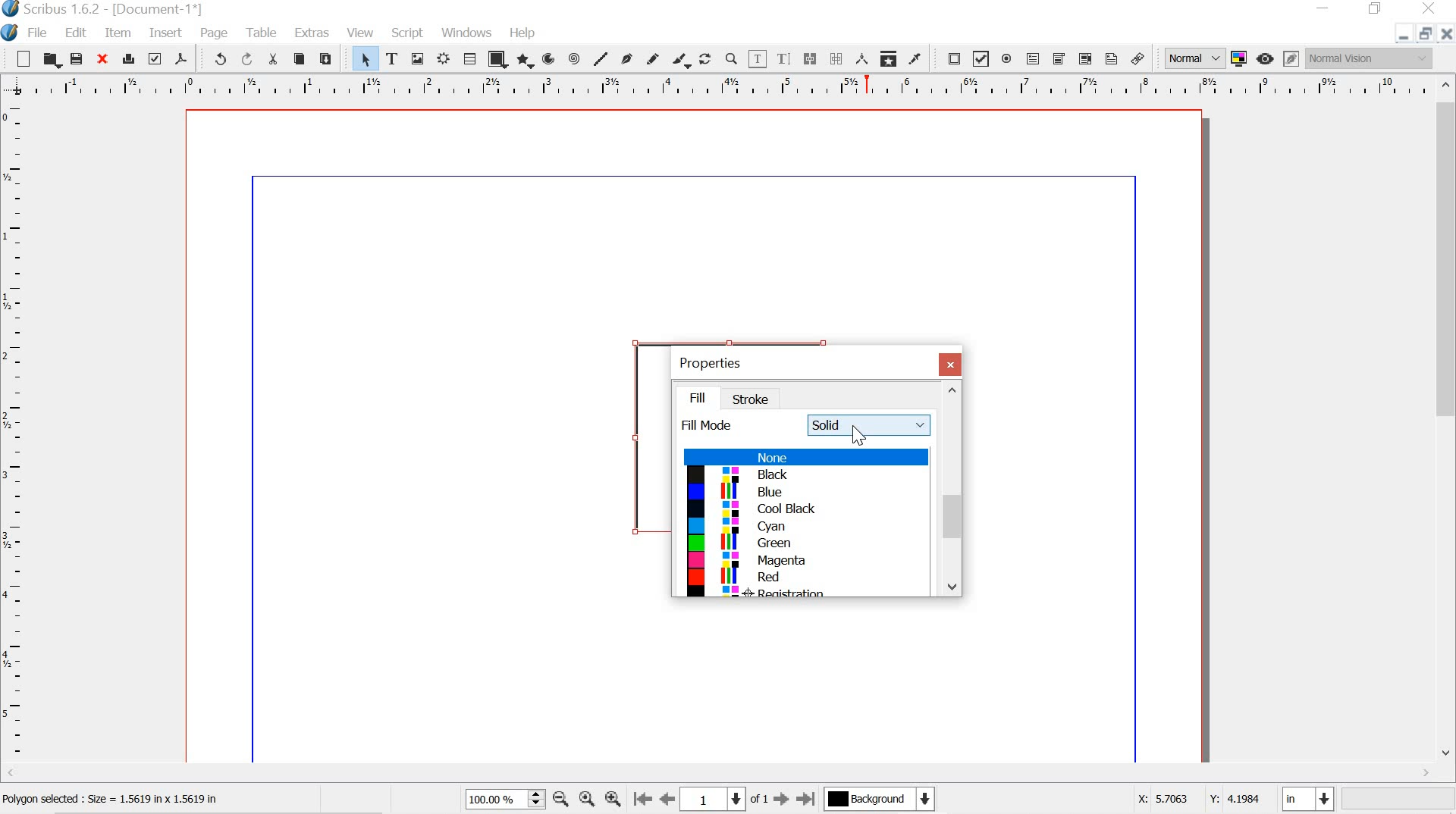 The width and height of the screenshot is (1456, 814). What do you see at coordinates (951, 364) in the screenshot?
I see `close` at bounding box center [951, 364].